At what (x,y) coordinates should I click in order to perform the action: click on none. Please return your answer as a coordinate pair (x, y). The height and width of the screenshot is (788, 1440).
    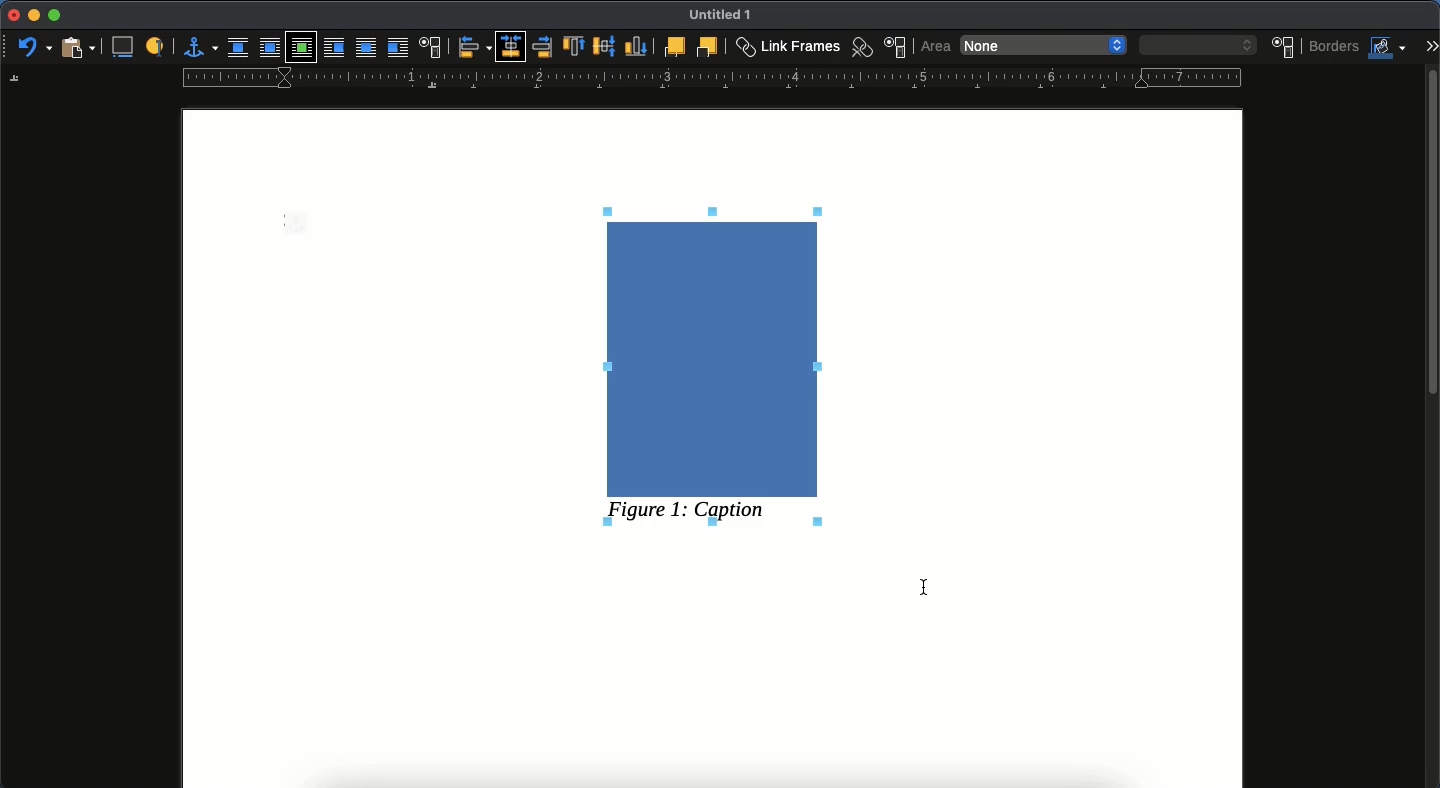
    Looking at the image, I should click on (238, 46).